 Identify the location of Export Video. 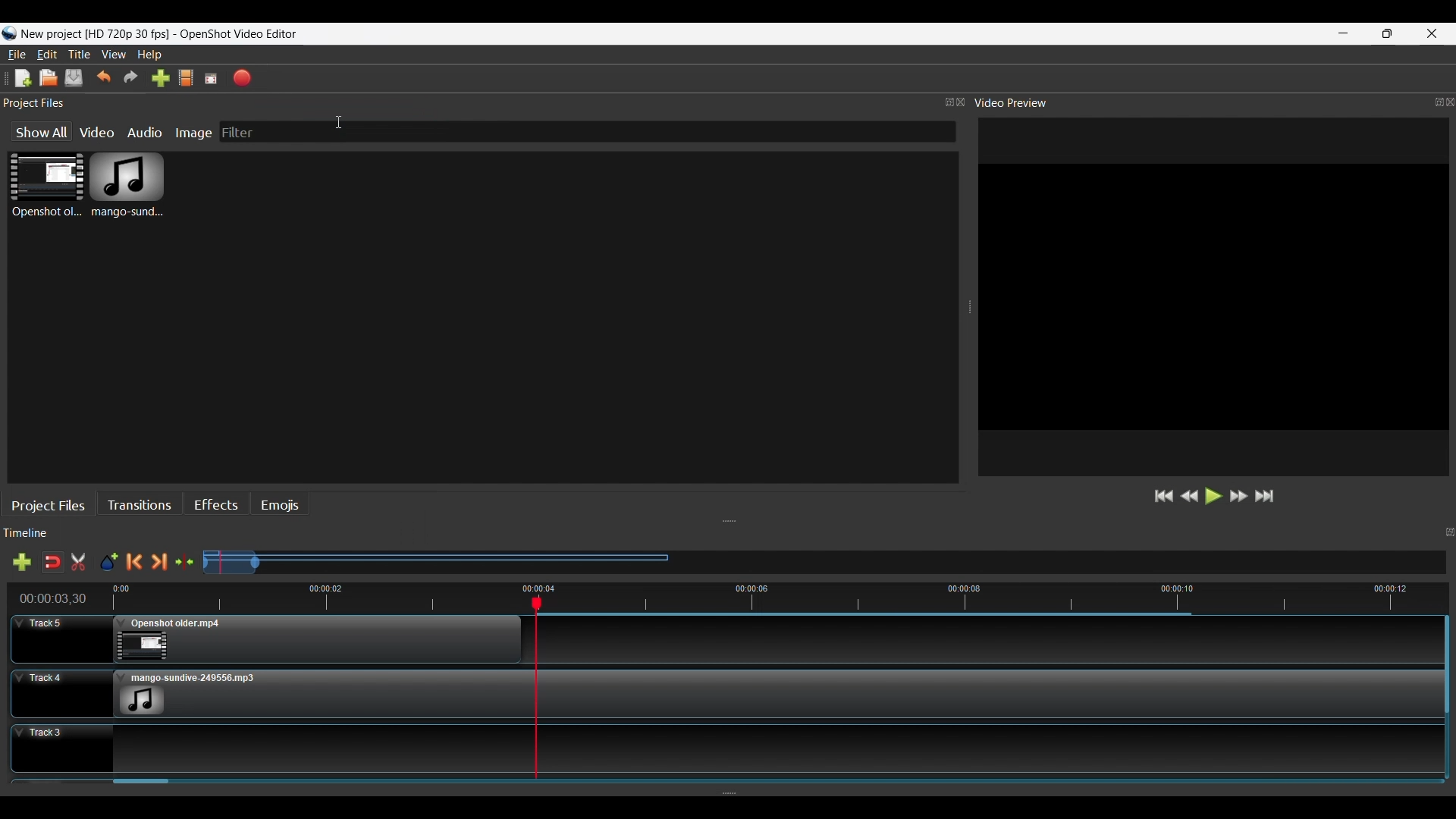
(243, 78).